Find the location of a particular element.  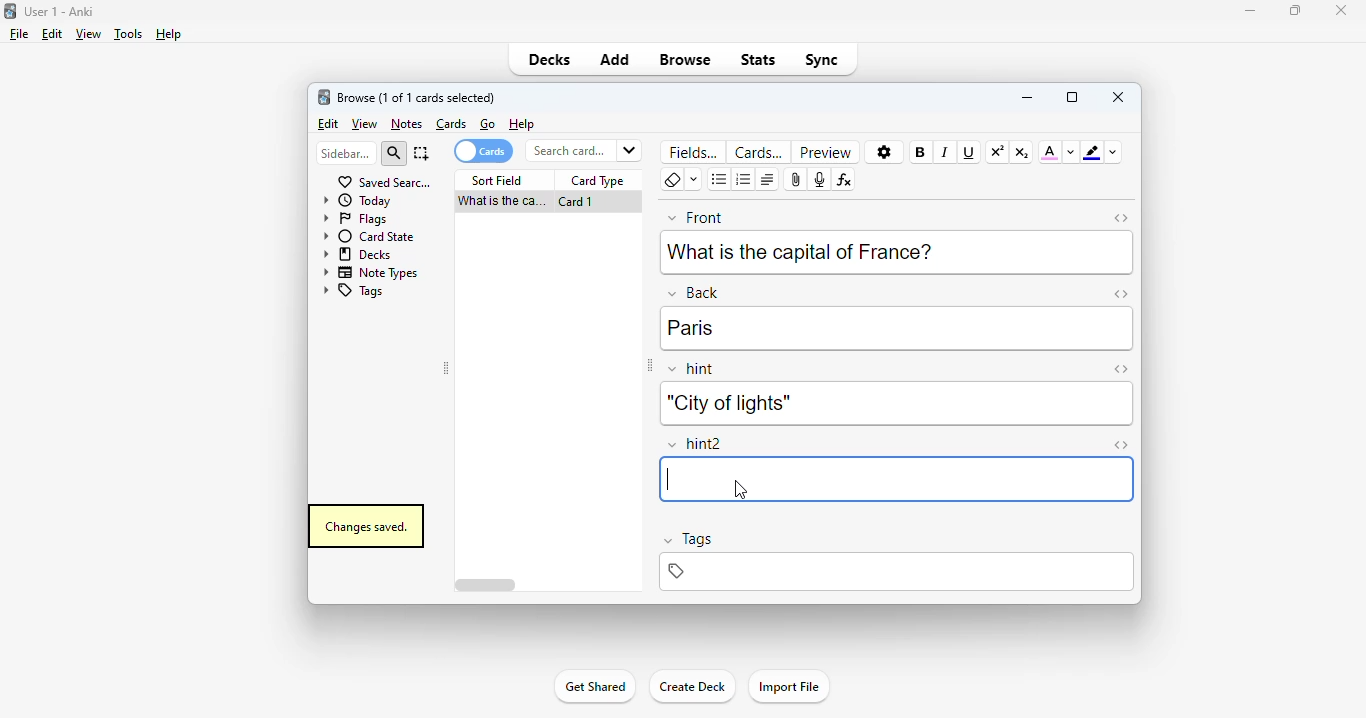

minimize is located at coordinates (1027, 96).